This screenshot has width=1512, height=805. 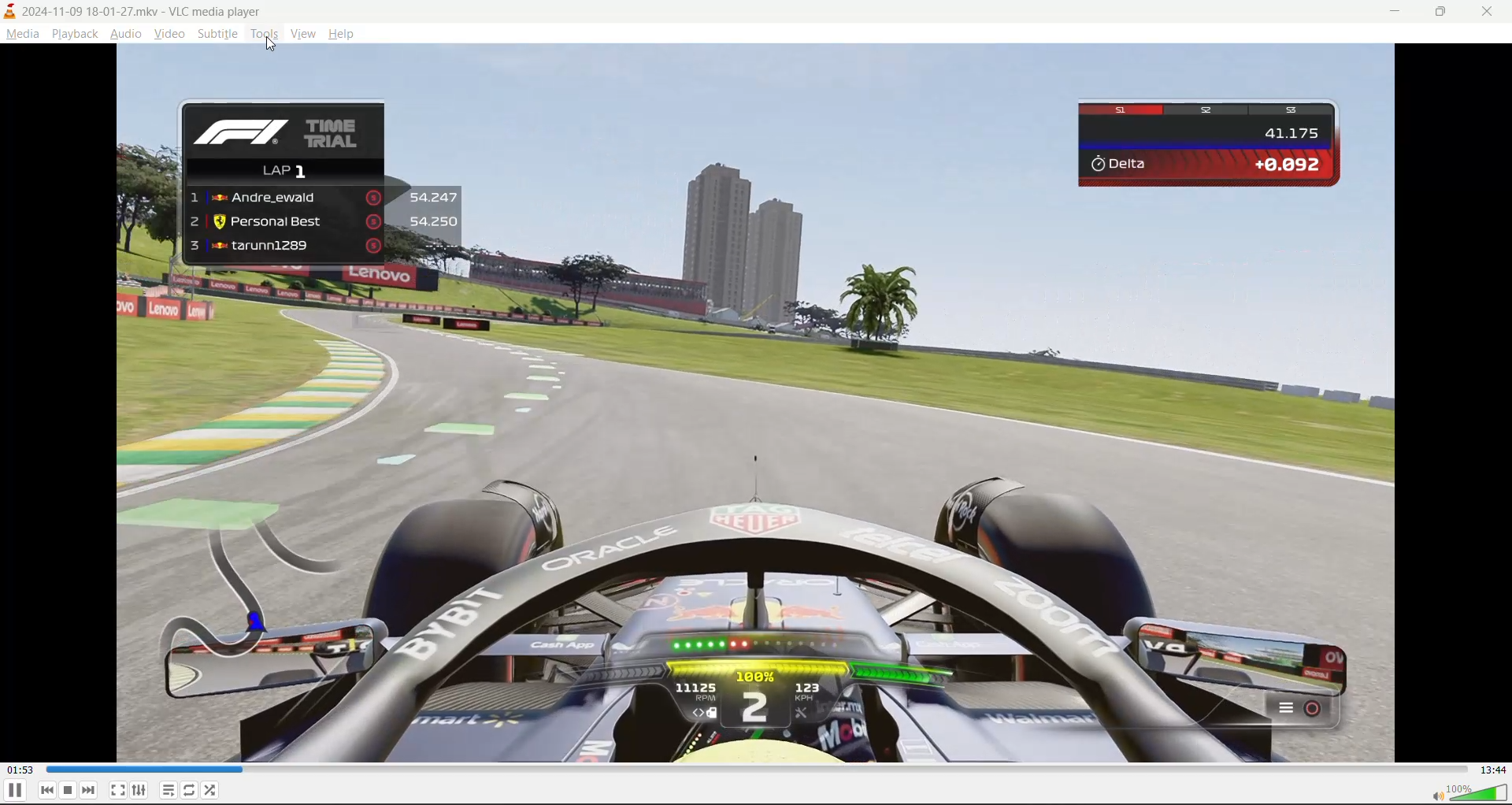 What do you see at coordinates (306, 35) in the screenshot?
I see `view` at bounding box center [306, 35].